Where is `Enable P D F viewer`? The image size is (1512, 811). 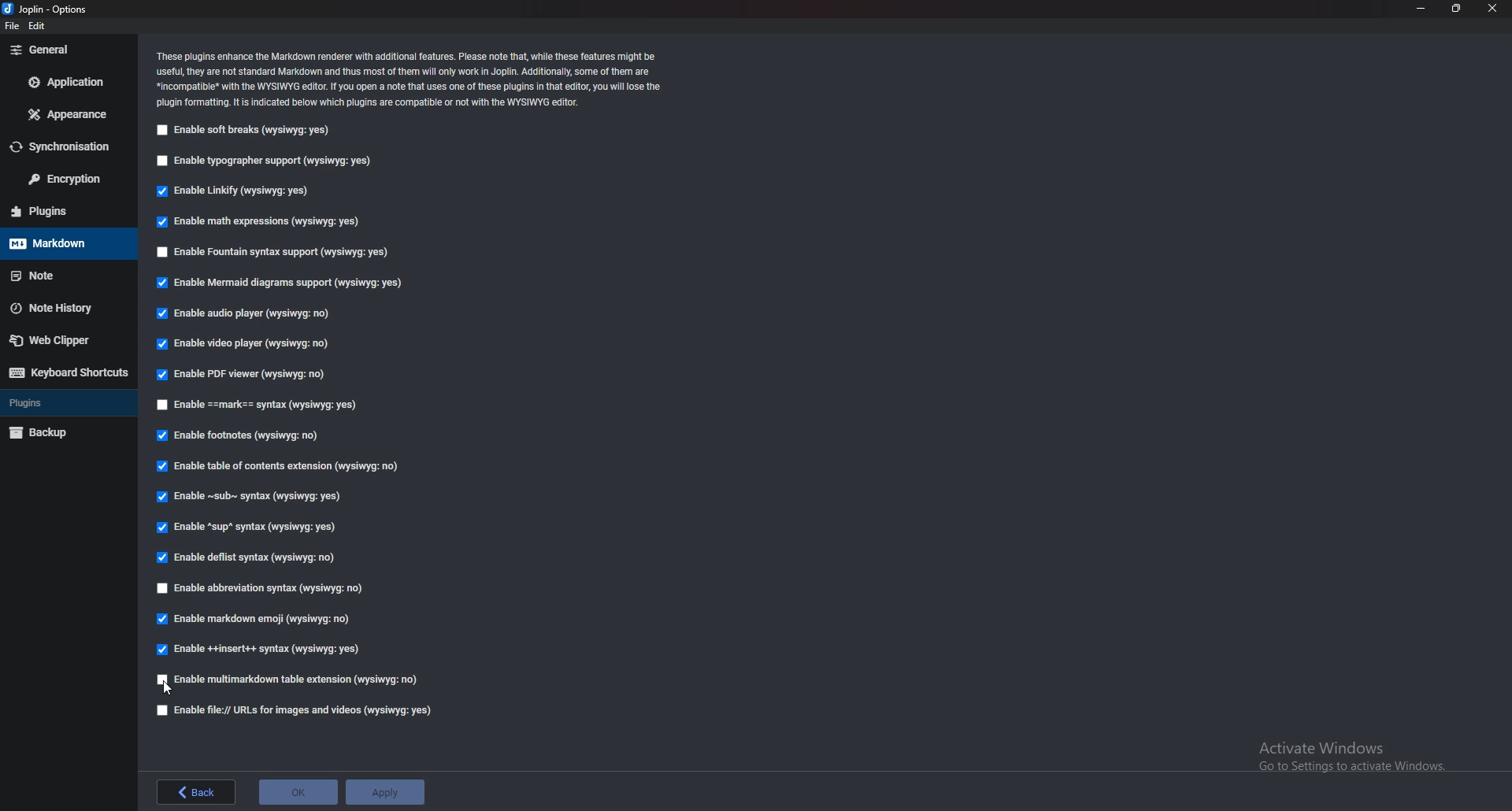
Enable P D F viewer is located at coordinates (238, 376).